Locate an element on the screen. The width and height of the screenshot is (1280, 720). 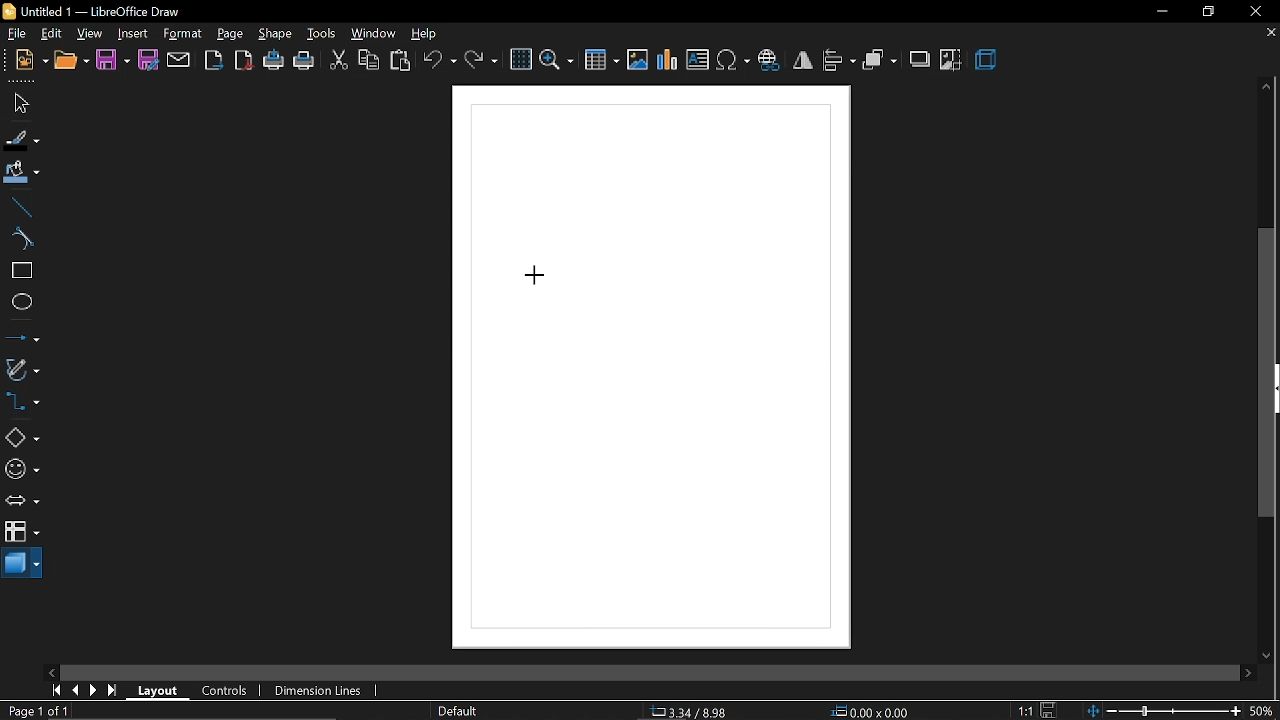
copy is located at coordinates (368, 64).